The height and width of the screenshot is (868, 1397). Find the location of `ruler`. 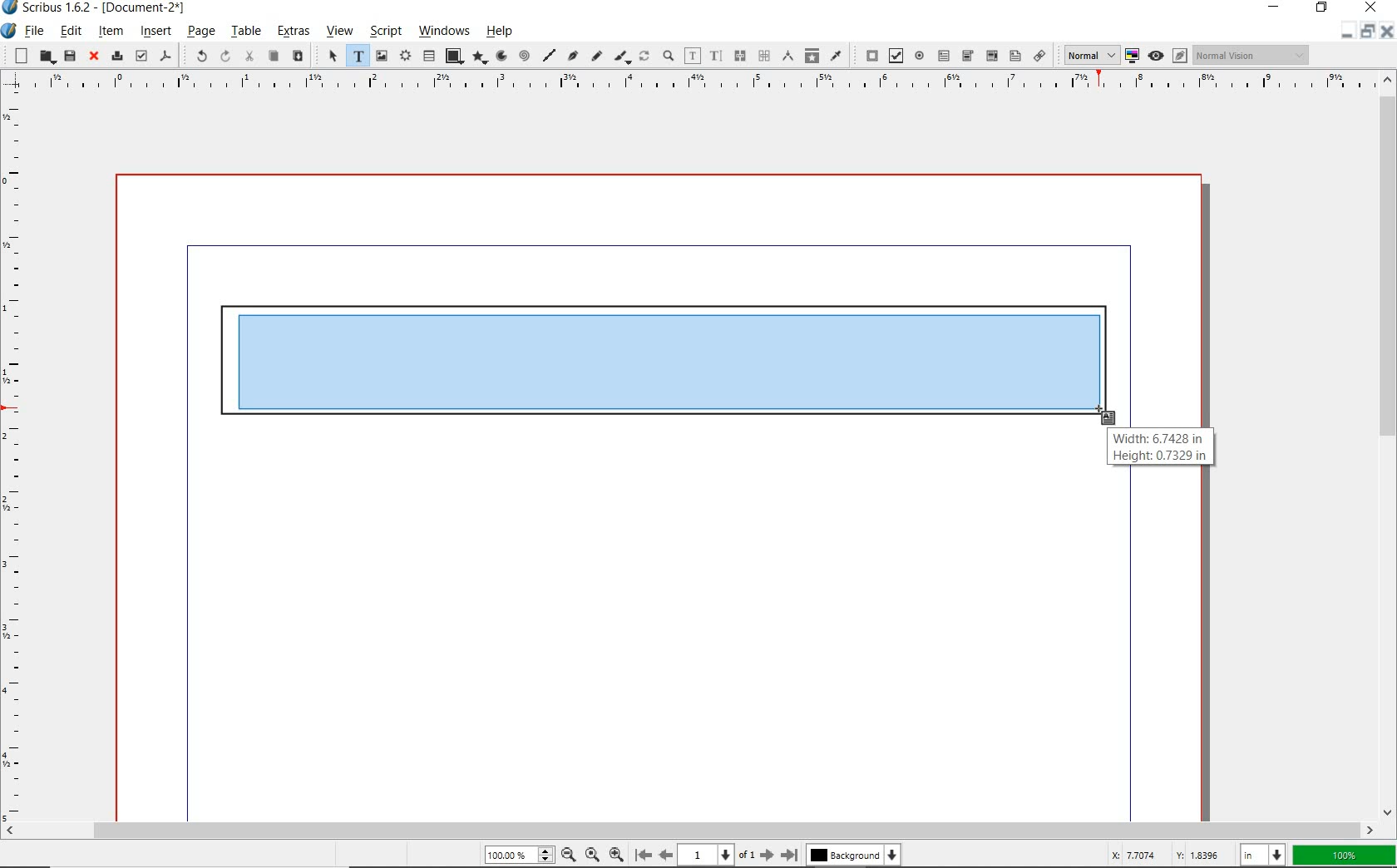

ruler is located at coordinates (692, 84).